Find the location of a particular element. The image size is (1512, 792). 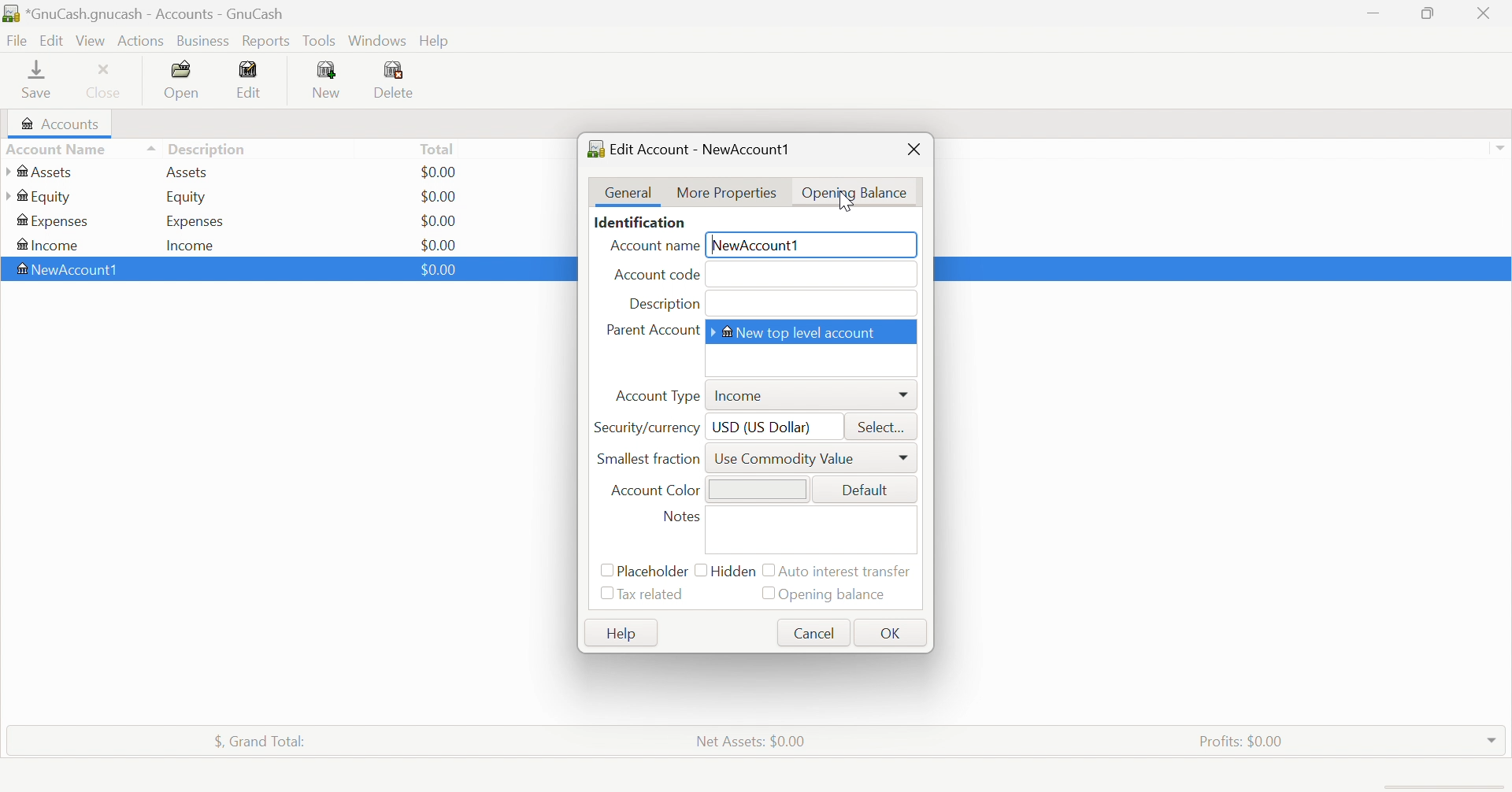

Open is located at coordinates (183, 80).